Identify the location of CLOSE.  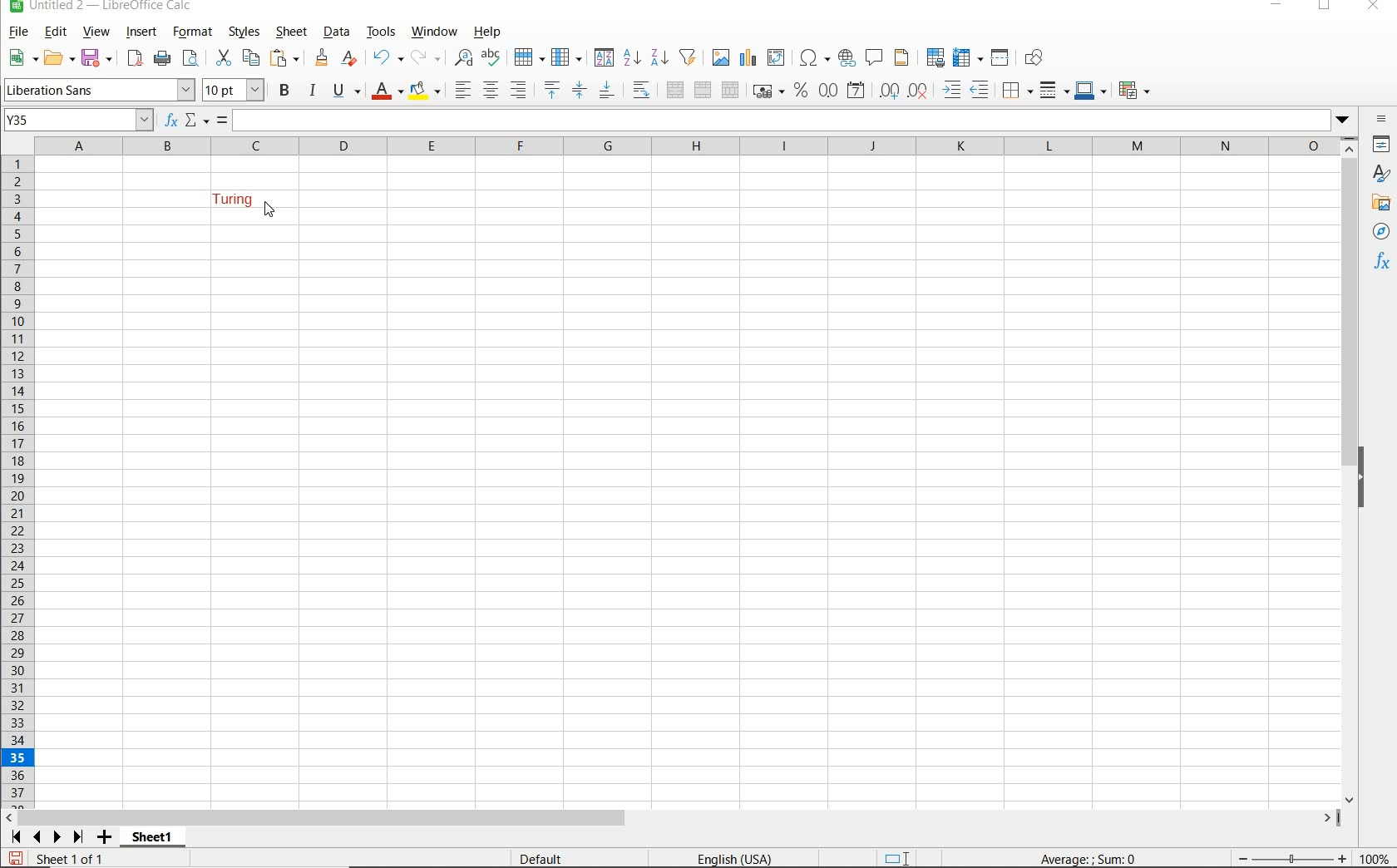
(1376, 7).